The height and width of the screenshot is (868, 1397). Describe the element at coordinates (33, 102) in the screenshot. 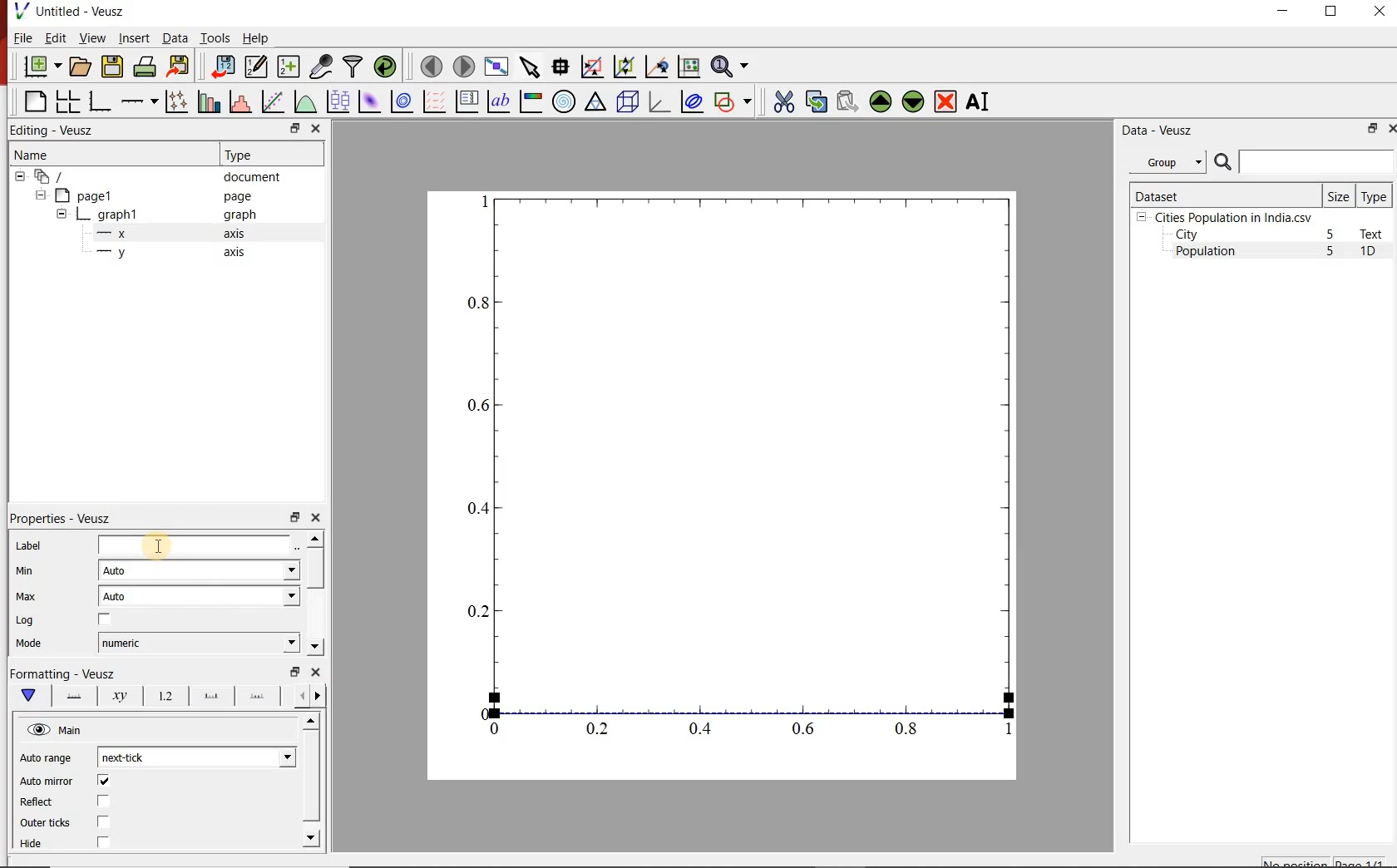

I see `blank page` at that location.